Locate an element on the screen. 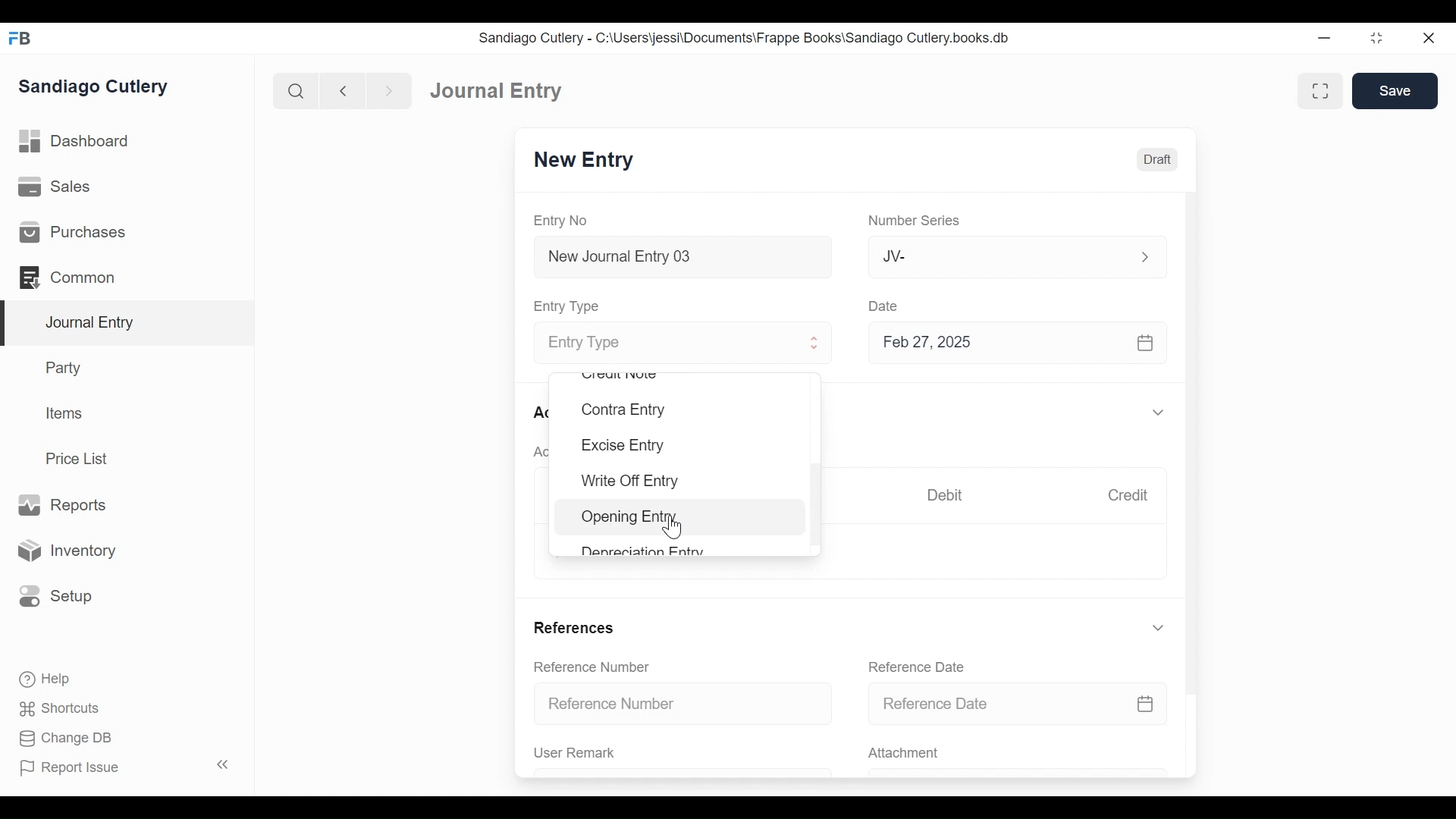 This screenshot has height=819, width=1456. Party is located at coordinates (66, 367).